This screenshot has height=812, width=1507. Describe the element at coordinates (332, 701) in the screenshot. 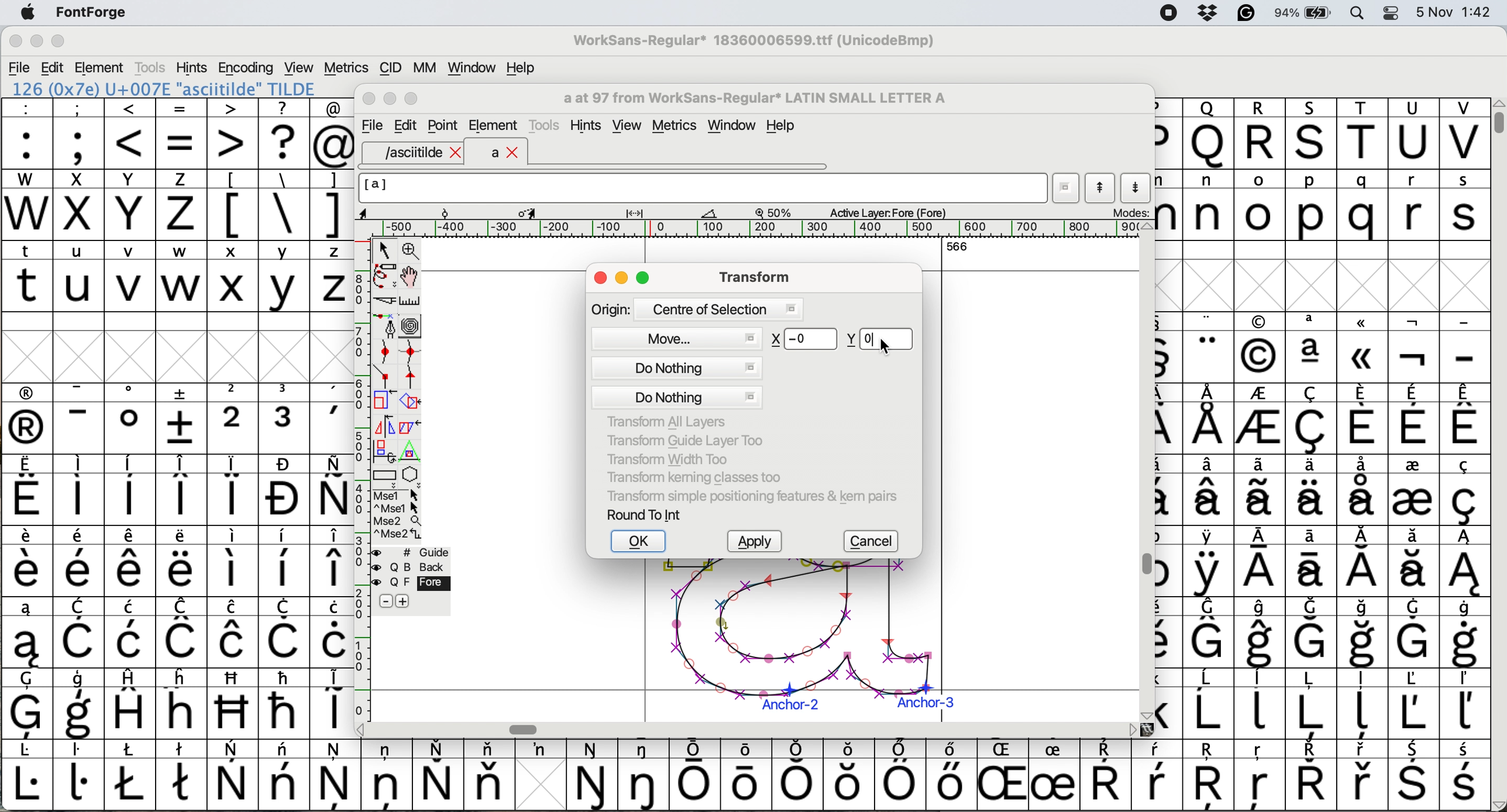

I see `symbol` at that location.